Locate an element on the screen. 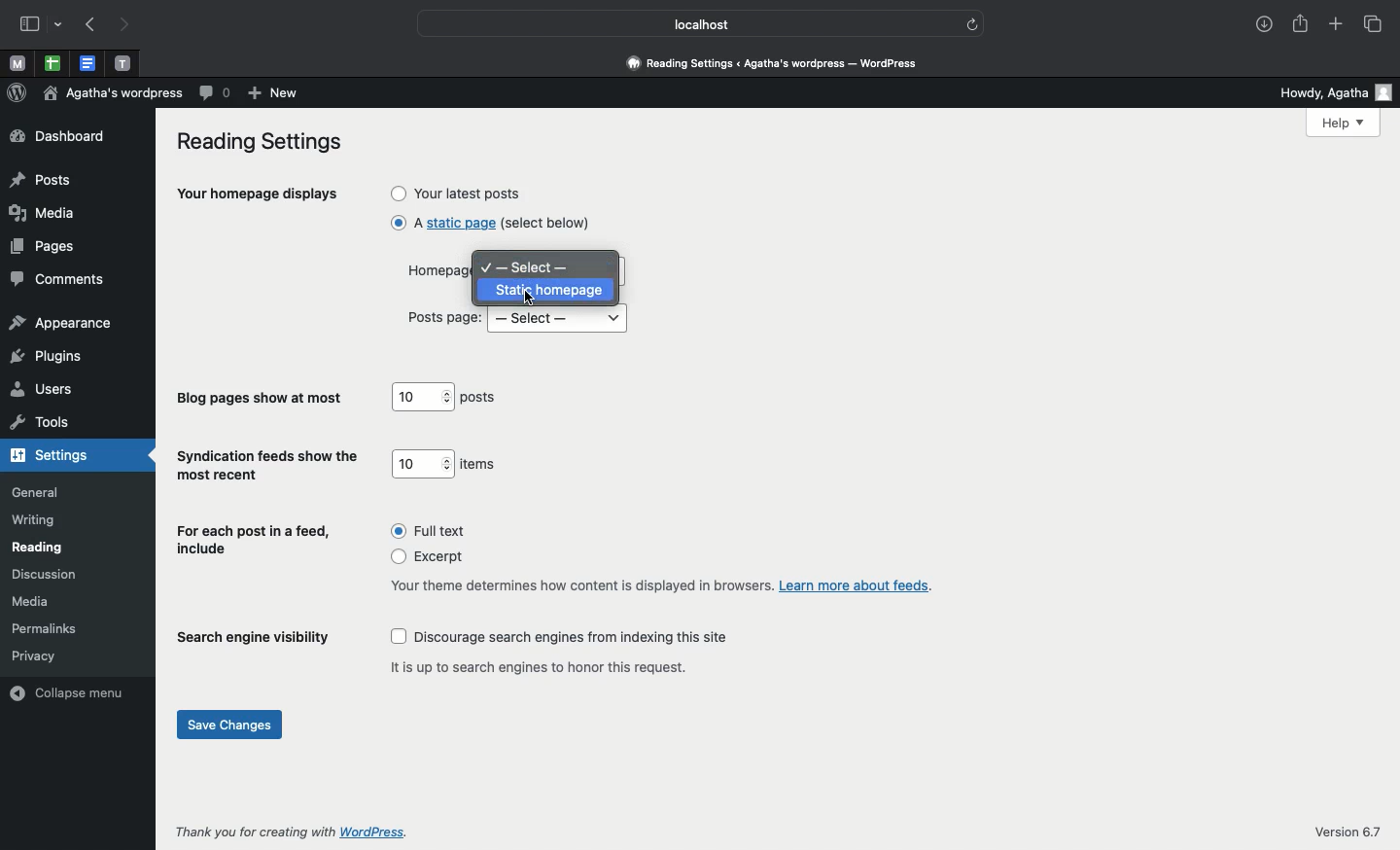 This screenshot has height=850, width=1400. plugins is located at coordinates (46, 355).